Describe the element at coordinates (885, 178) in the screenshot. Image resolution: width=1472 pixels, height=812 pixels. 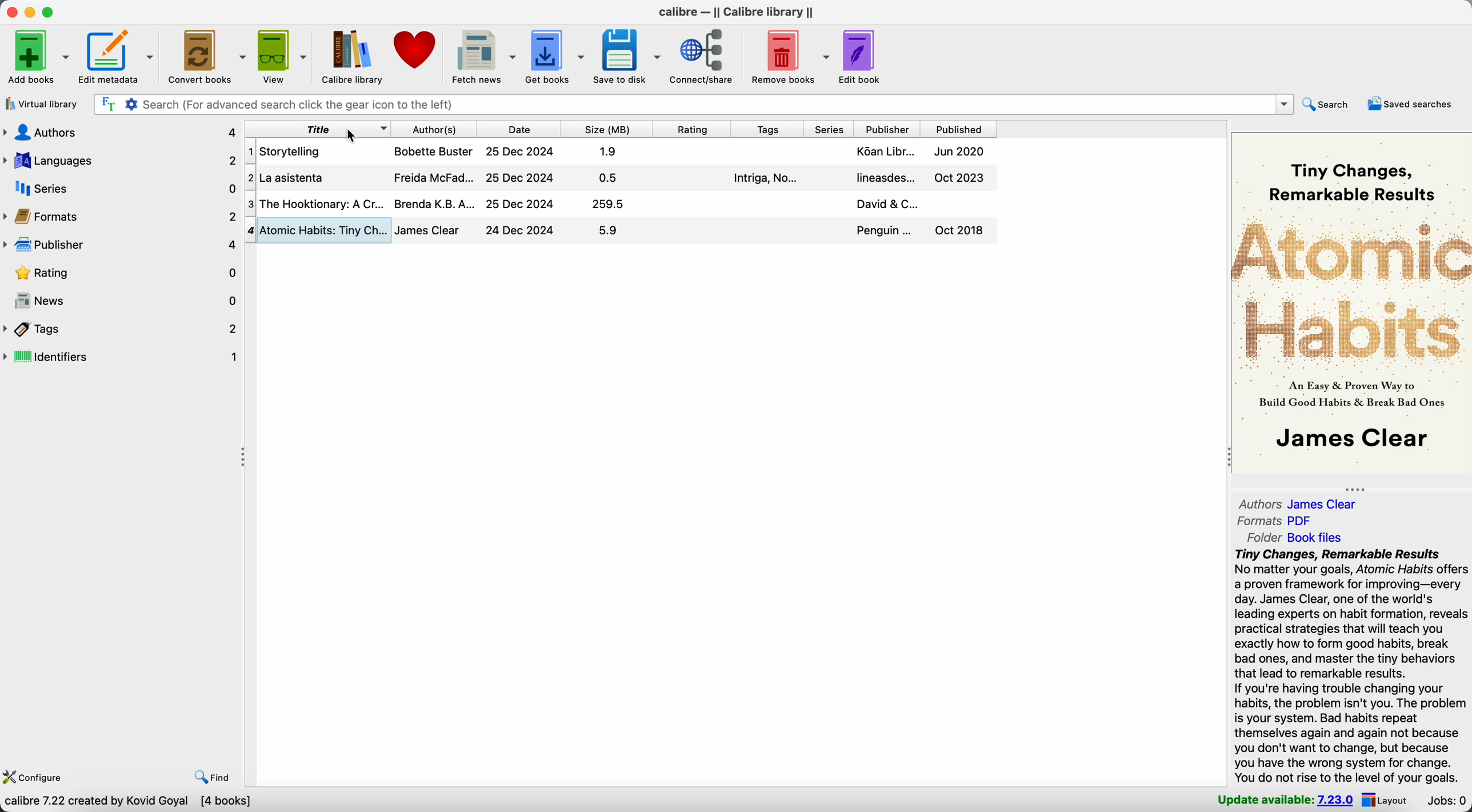
I see `lineasdes...` at that location.